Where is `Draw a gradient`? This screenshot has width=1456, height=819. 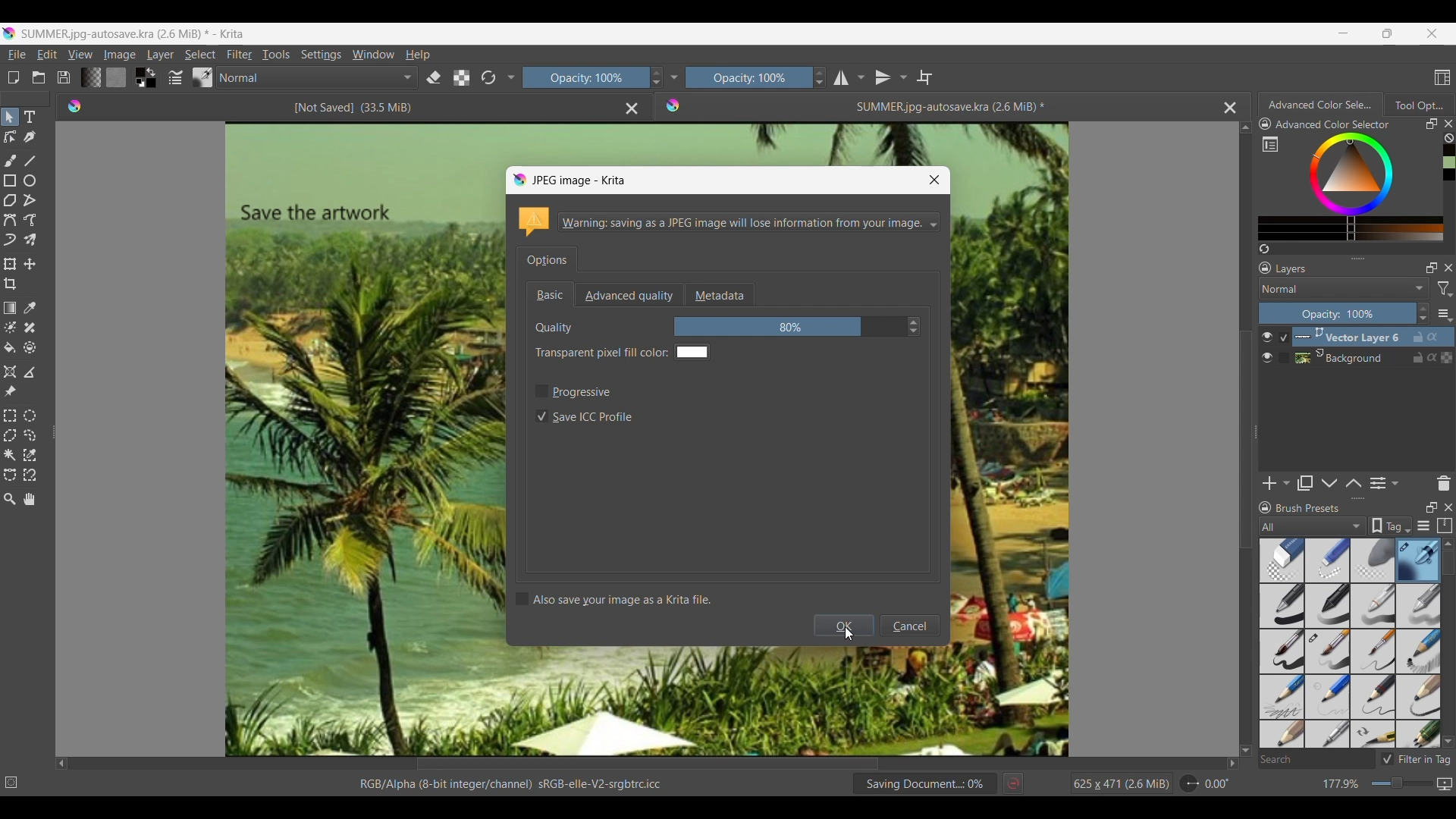
Draw a gradient is located at coordinates (9, 308).